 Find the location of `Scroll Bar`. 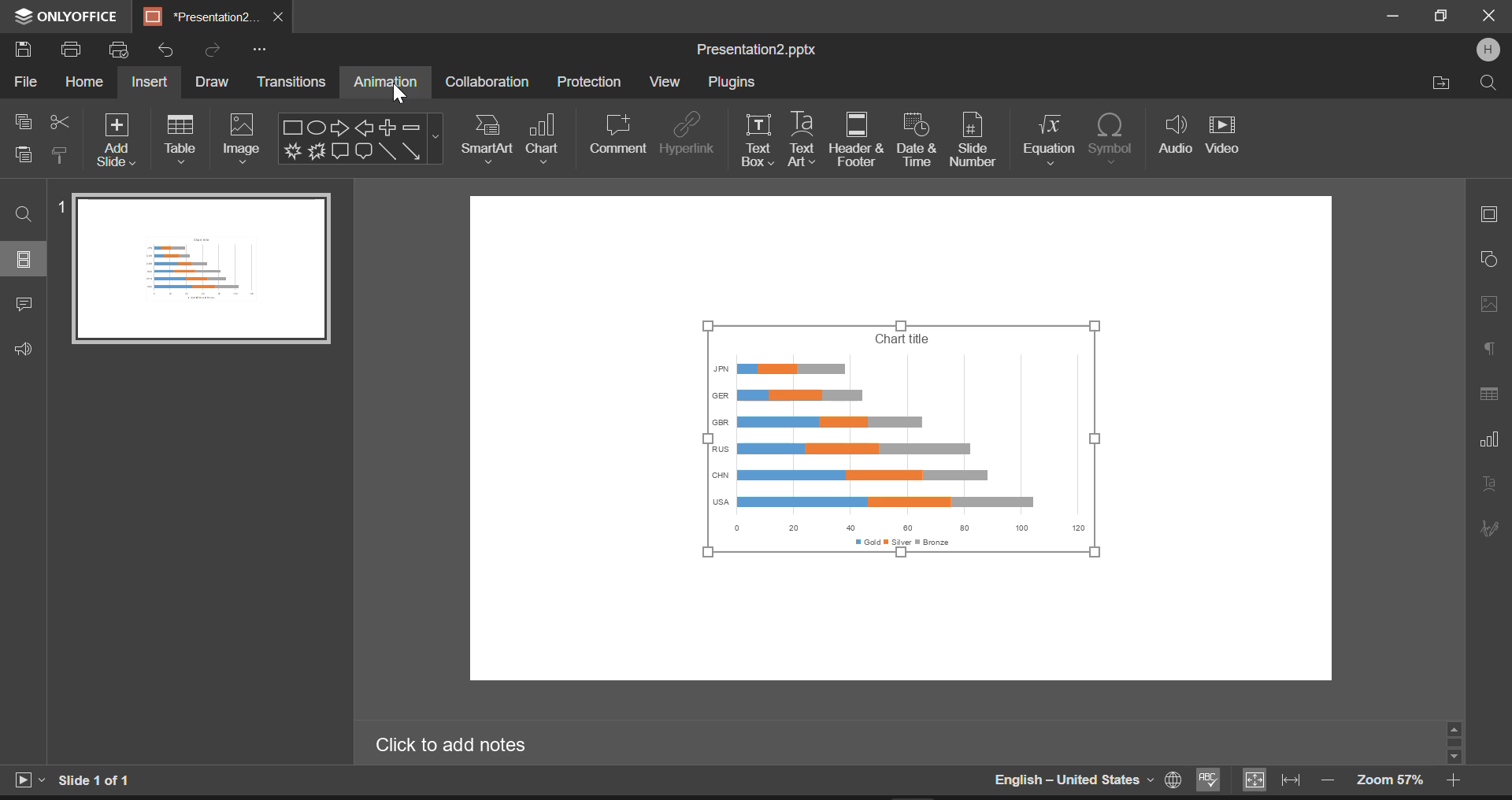

Scroll Bar is located at coordinates (1455, 742).